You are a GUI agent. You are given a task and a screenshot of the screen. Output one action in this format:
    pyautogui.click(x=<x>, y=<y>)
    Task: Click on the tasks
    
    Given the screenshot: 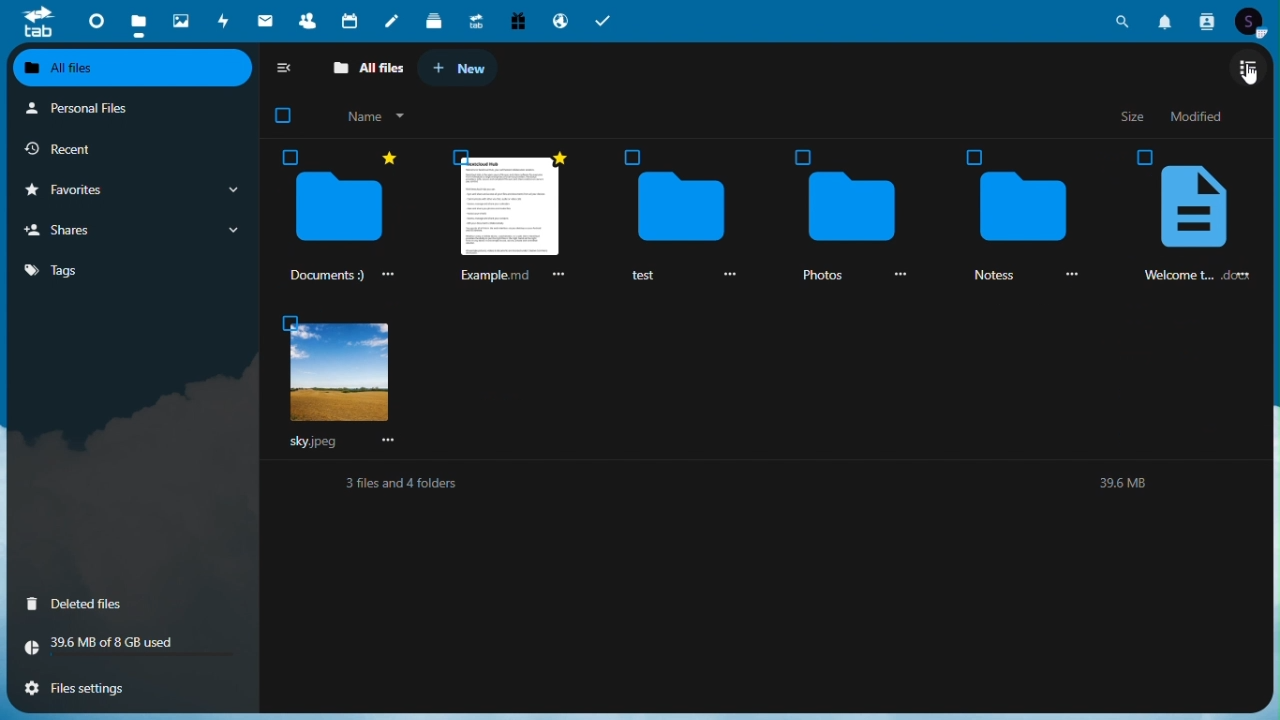 What is the action you would take?
    pyautogui.click(x=603, y=21)
    